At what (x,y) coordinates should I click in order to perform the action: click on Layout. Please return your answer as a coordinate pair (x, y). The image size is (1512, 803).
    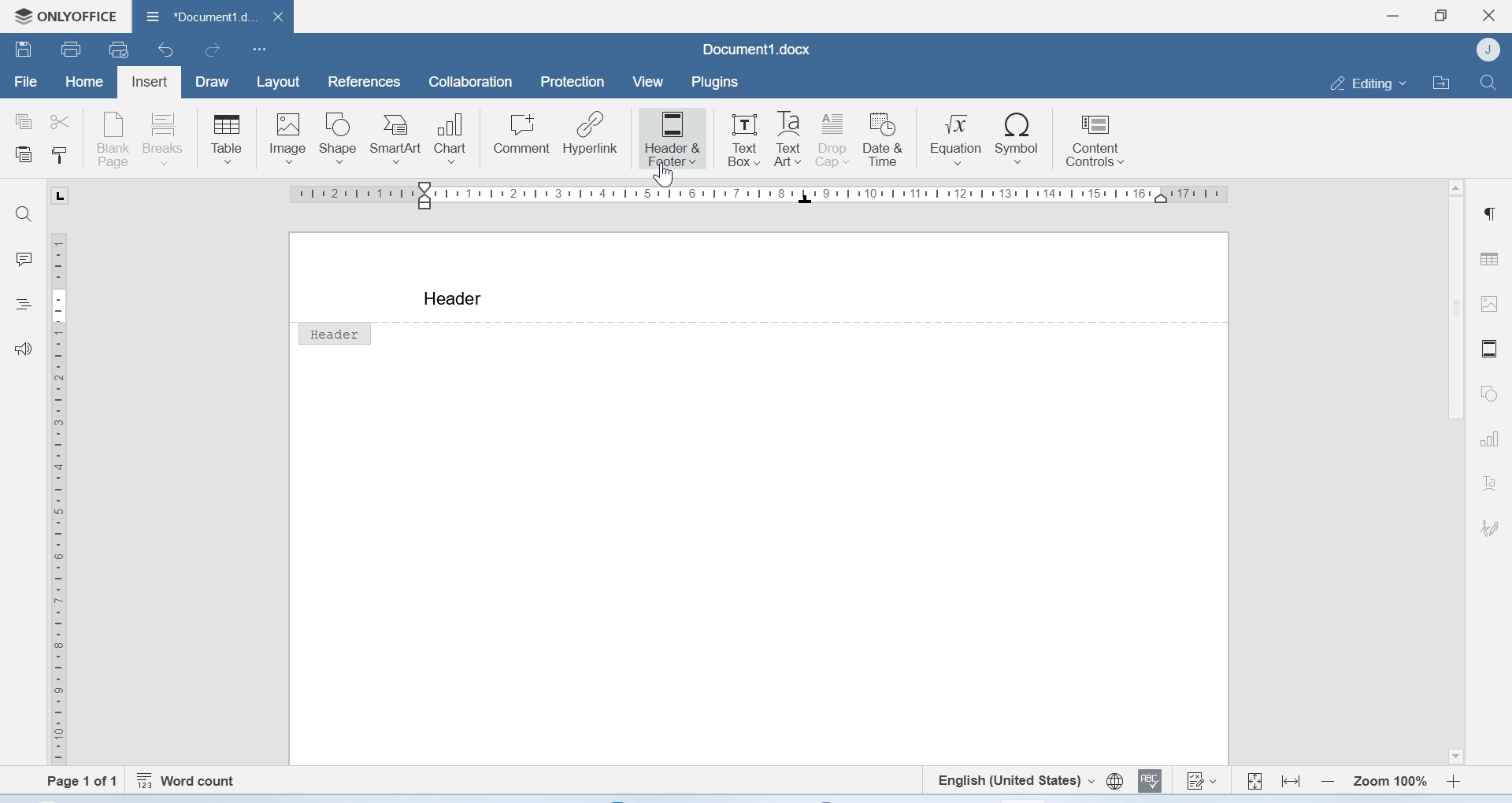
    Looking at the image, I should click on (279, 82).